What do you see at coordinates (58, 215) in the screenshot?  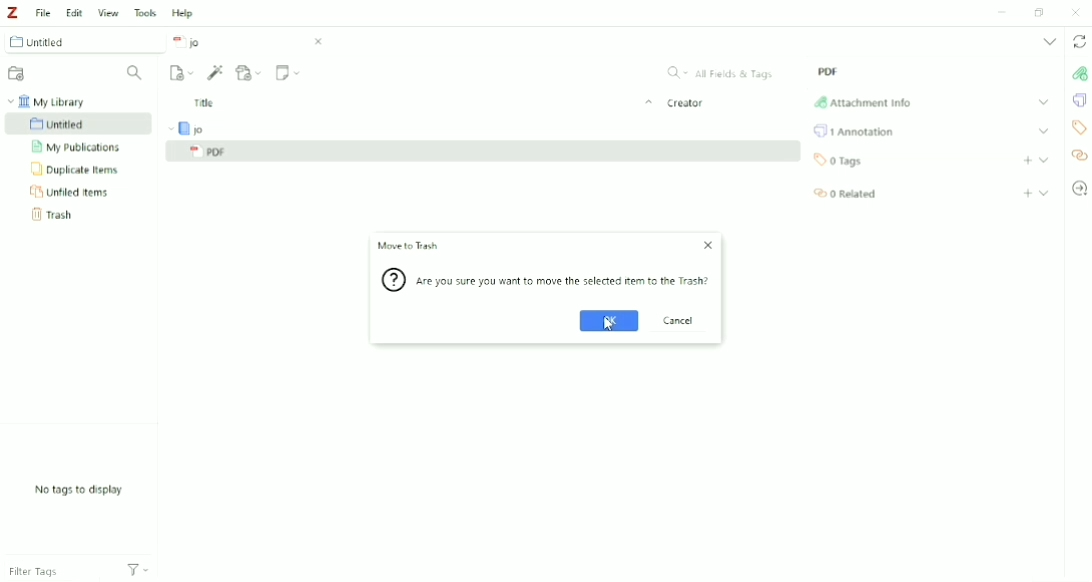 I see `Trash` at bounding box center [58, 215].